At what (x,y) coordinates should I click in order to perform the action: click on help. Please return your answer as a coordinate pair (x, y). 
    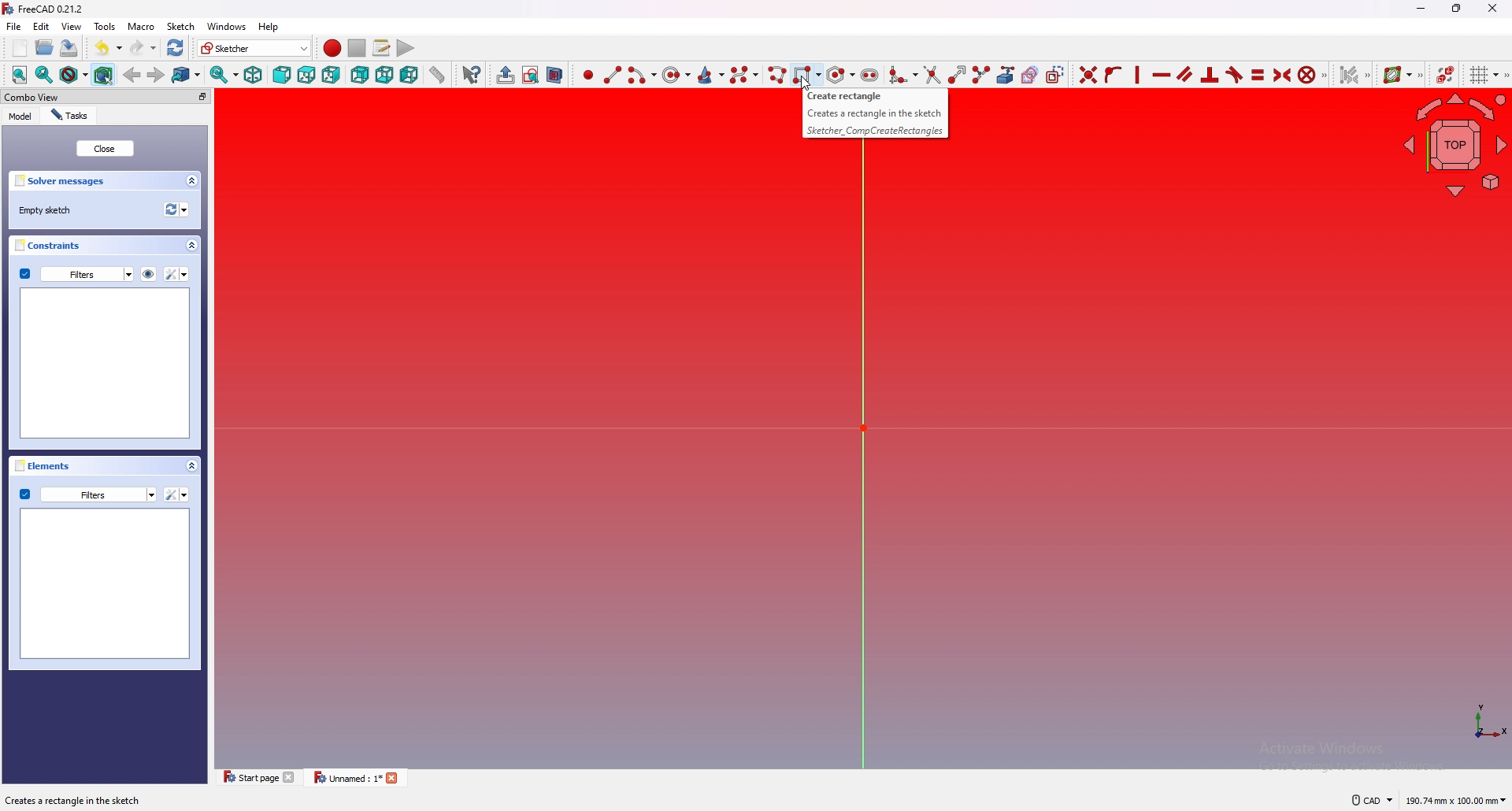
    Looking at the image, I should click on (271, 26).